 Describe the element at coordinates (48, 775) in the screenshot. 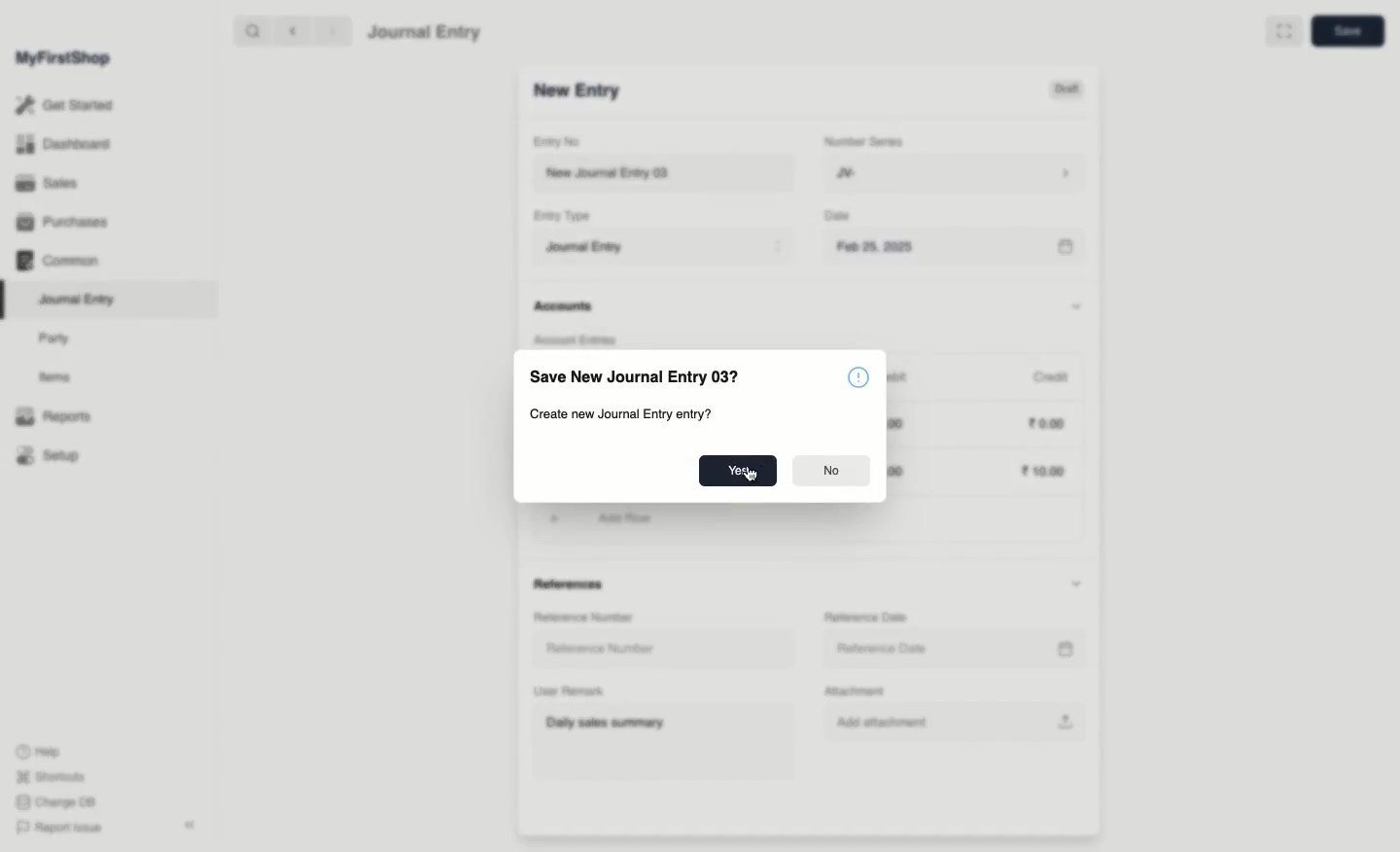

I see `Shortcuts` at that location.